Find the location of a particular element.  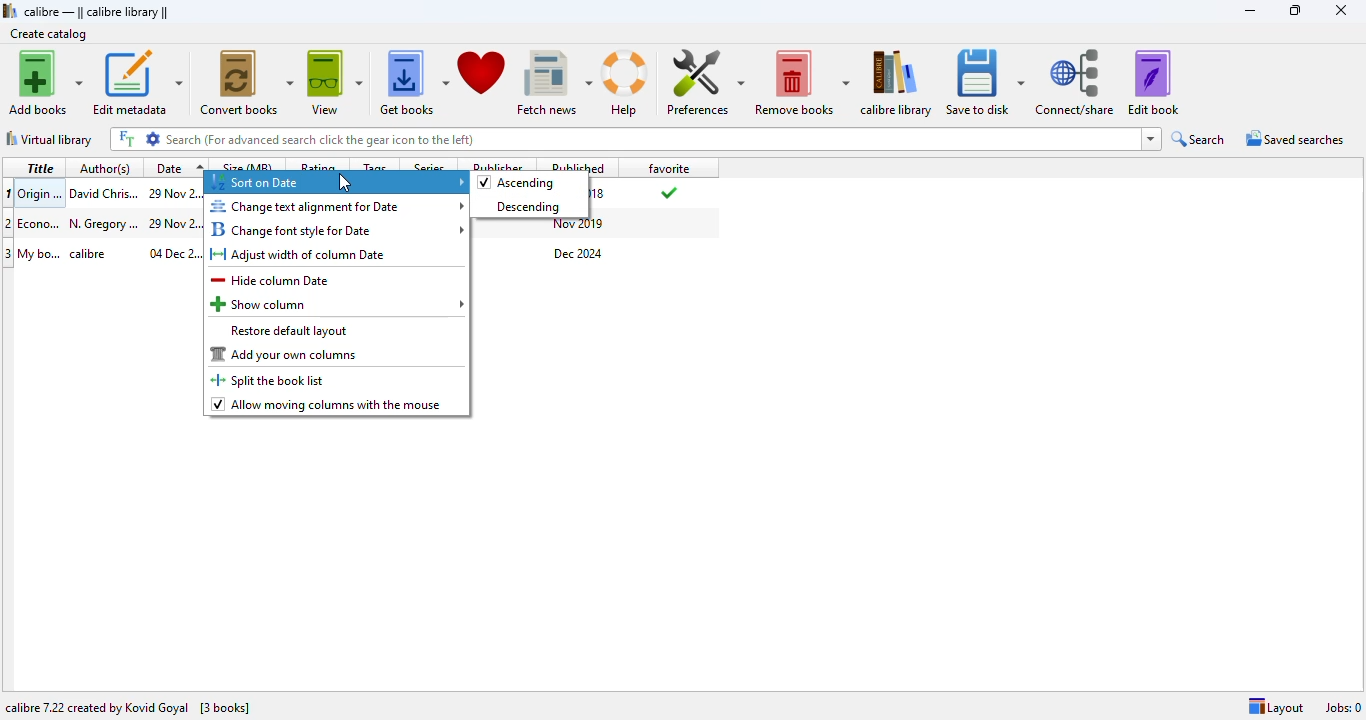

publish date is located at coordinates (579, 254).